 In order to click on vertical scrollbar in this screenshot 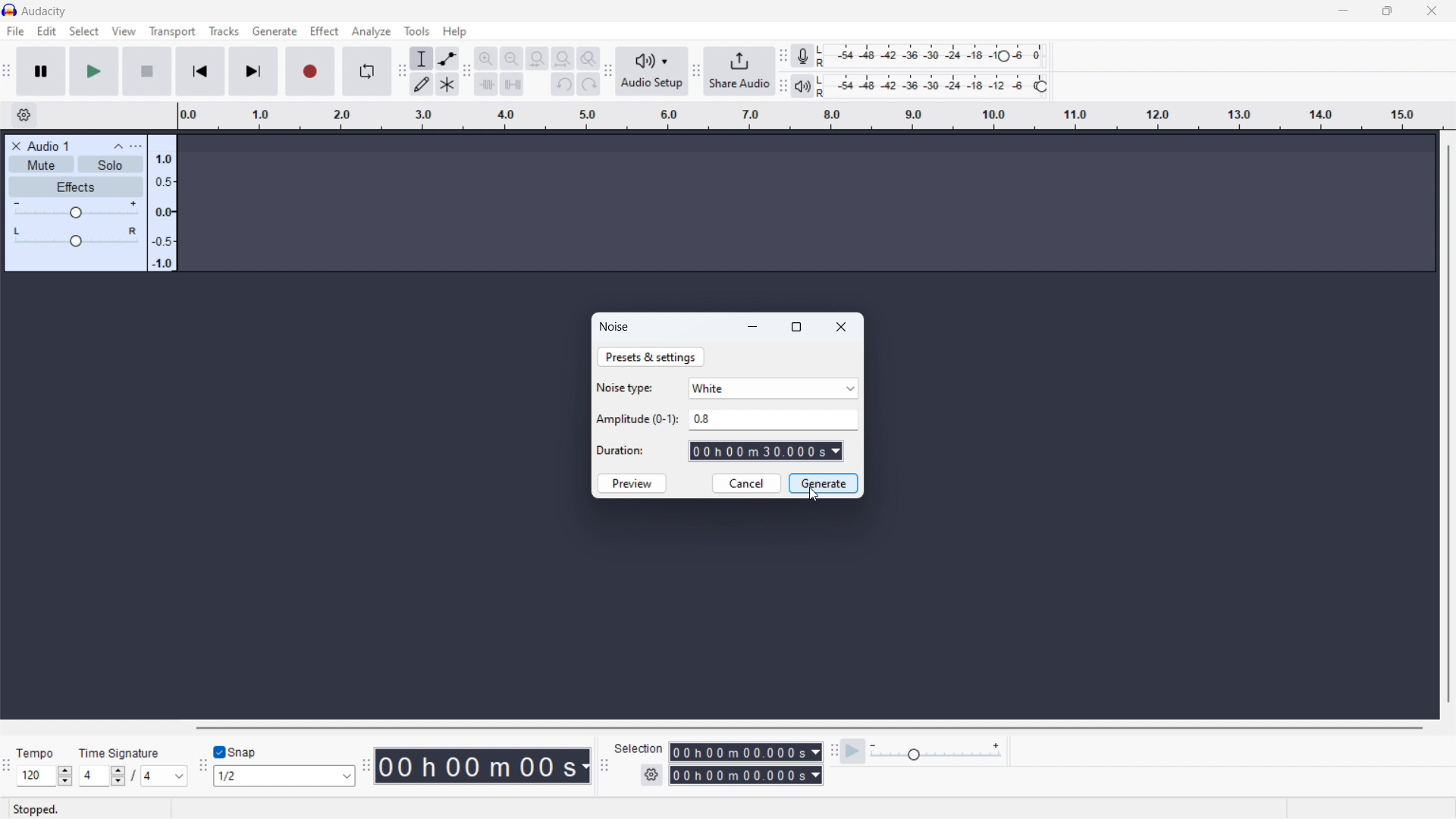, I will do `click(1447, 422)`.